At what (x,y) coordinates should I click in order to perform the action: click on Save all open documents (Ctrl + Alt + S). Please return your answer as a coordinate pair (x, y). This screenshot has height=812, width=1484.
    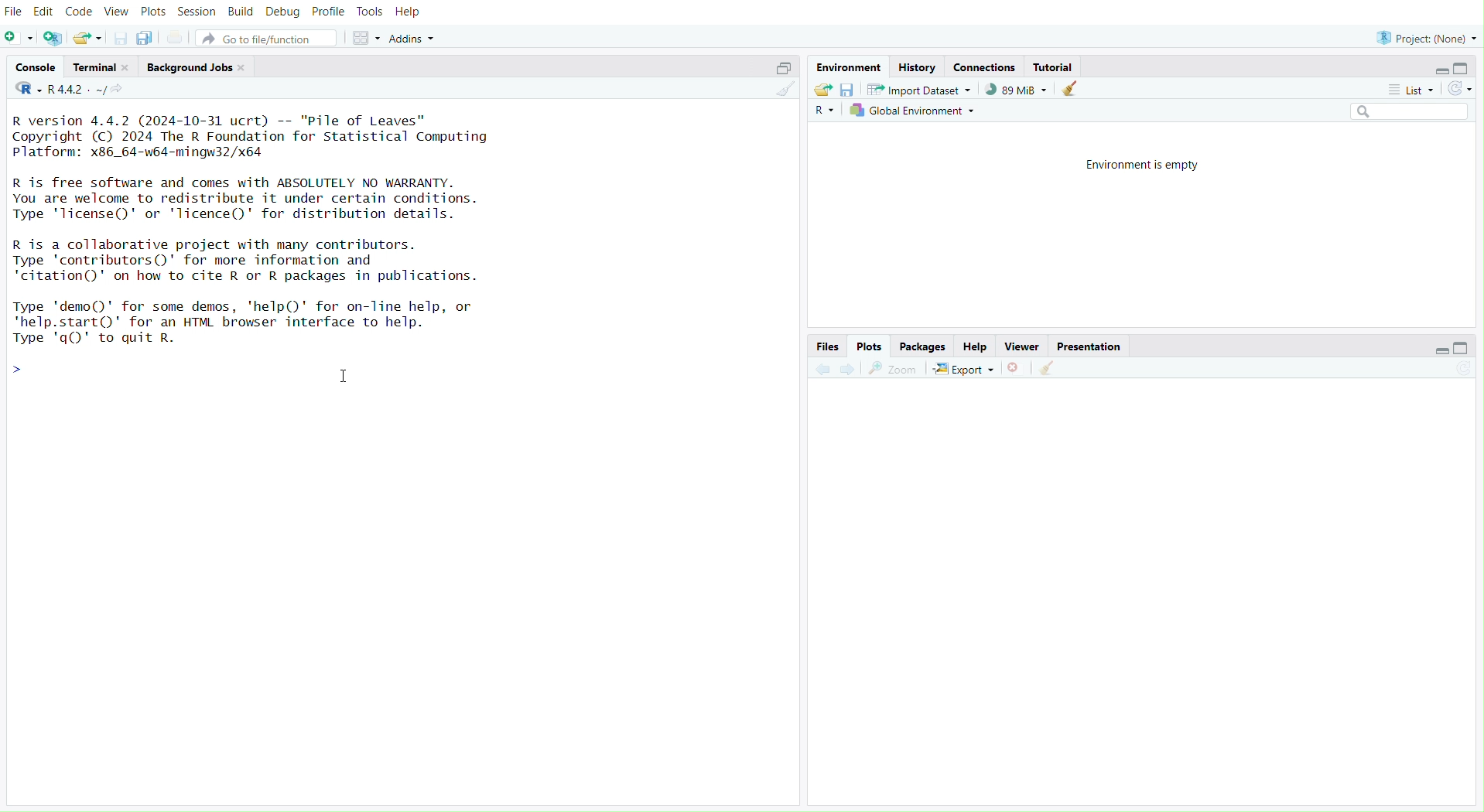
    Looking at the image, I should click on (146, 37).